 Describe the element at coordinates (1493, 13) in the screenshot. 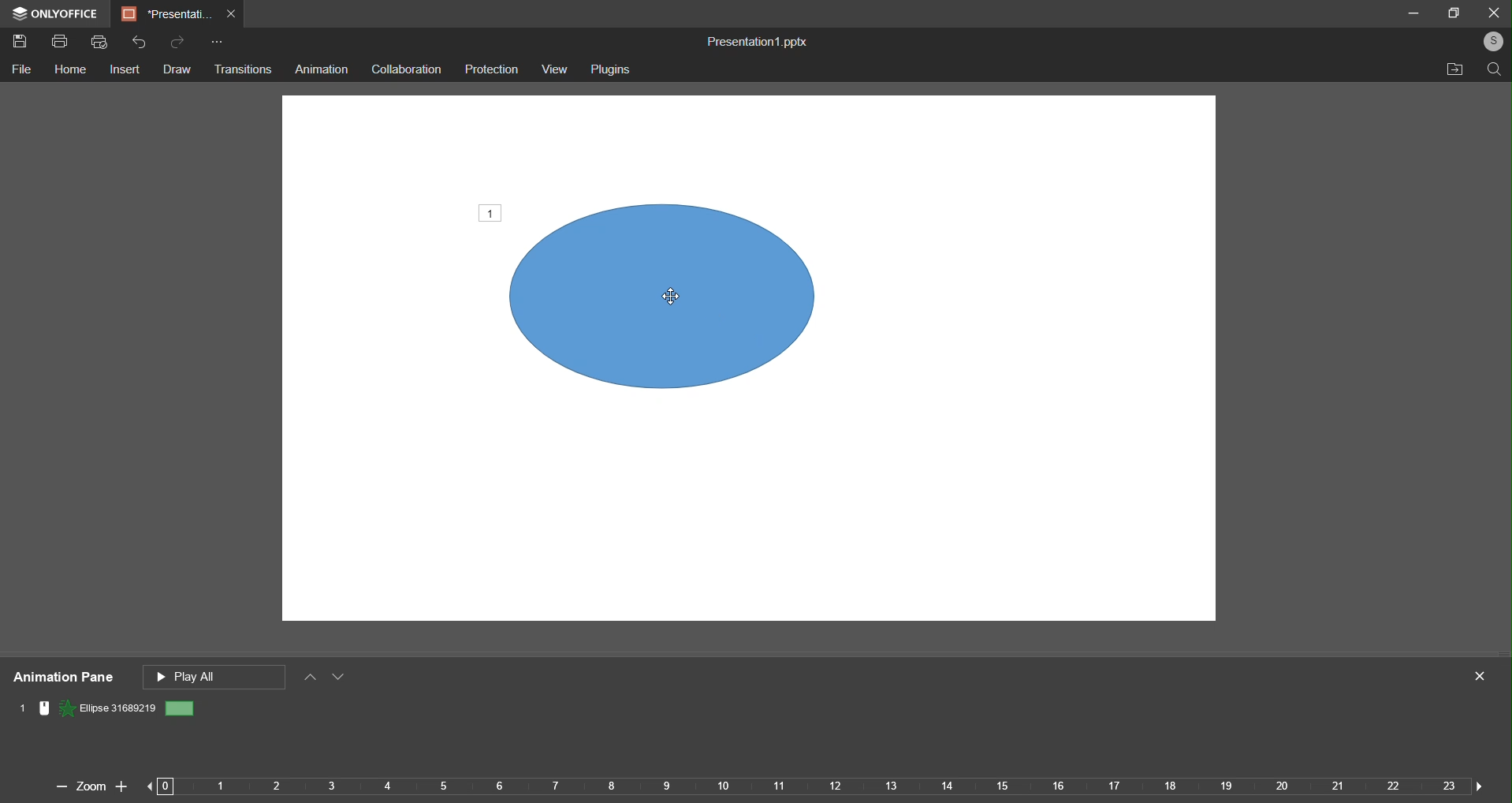

I see `close` at that location.